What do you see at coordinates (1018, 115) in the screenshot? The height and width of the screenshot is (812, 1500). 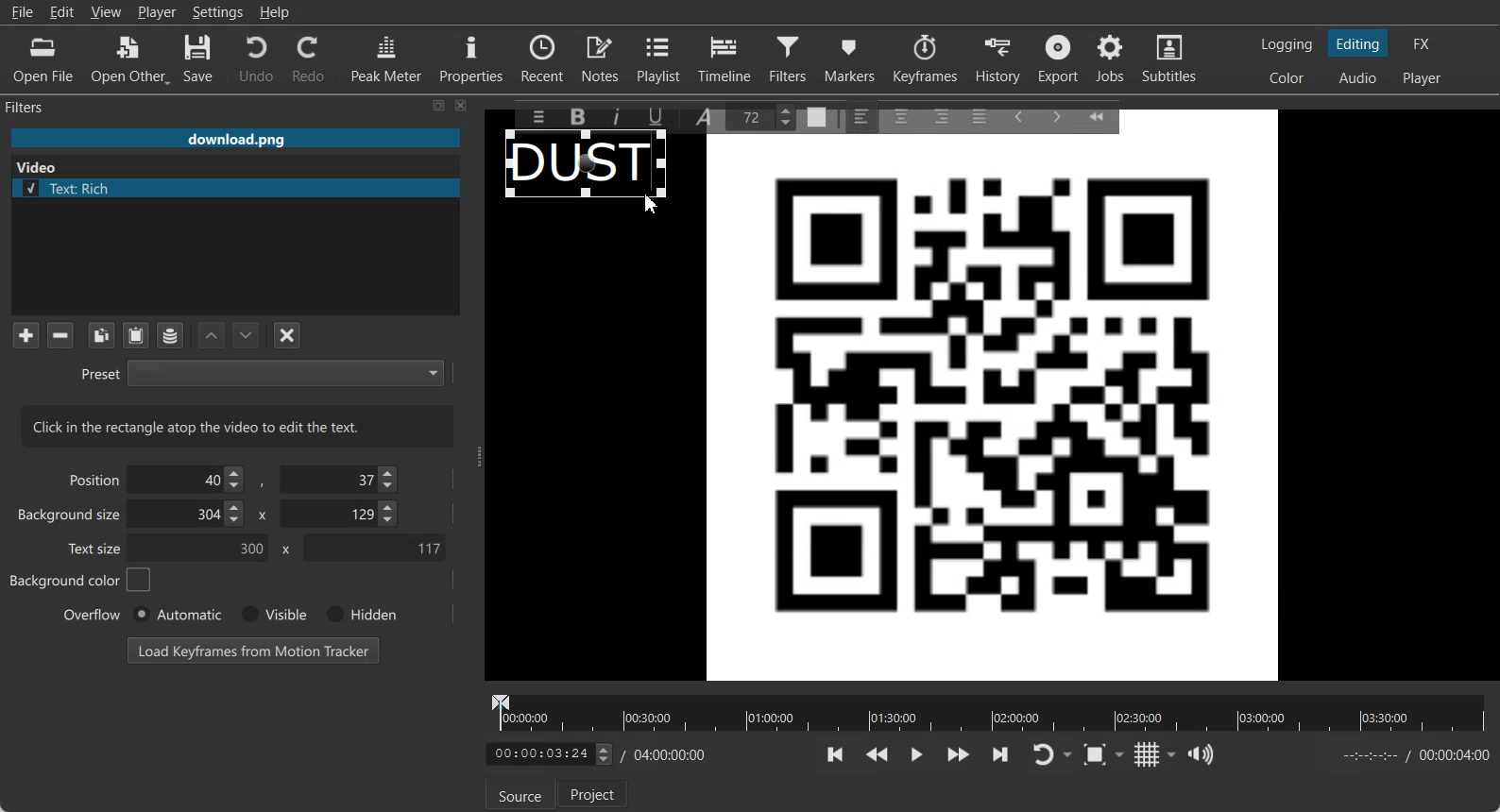 I see `Decrease Indent` at bounding box center [1018, 115].